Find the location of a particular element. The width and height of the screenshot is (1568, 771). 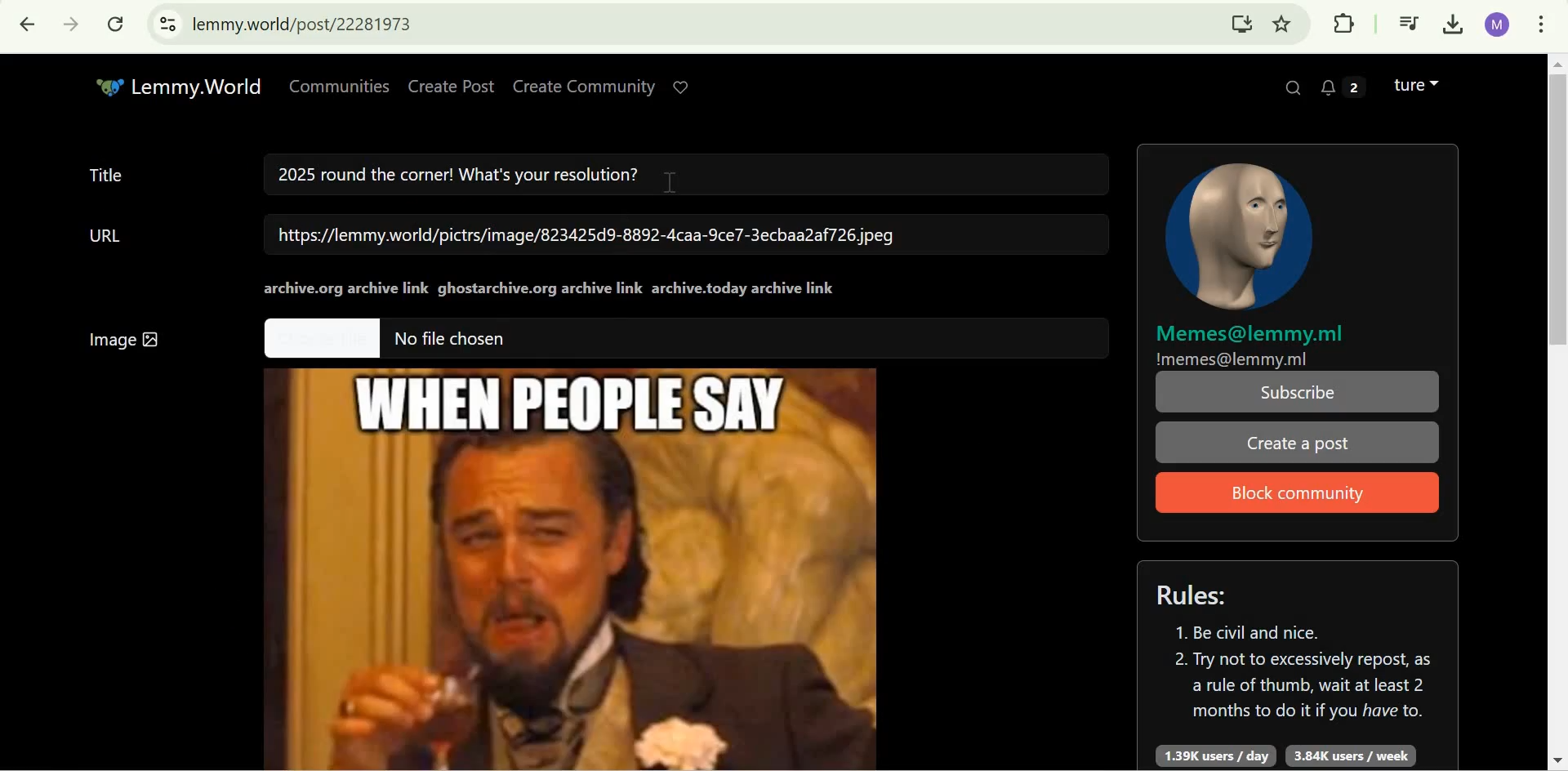

1. Be civil and nice. is located at coordinates (1258, 633).